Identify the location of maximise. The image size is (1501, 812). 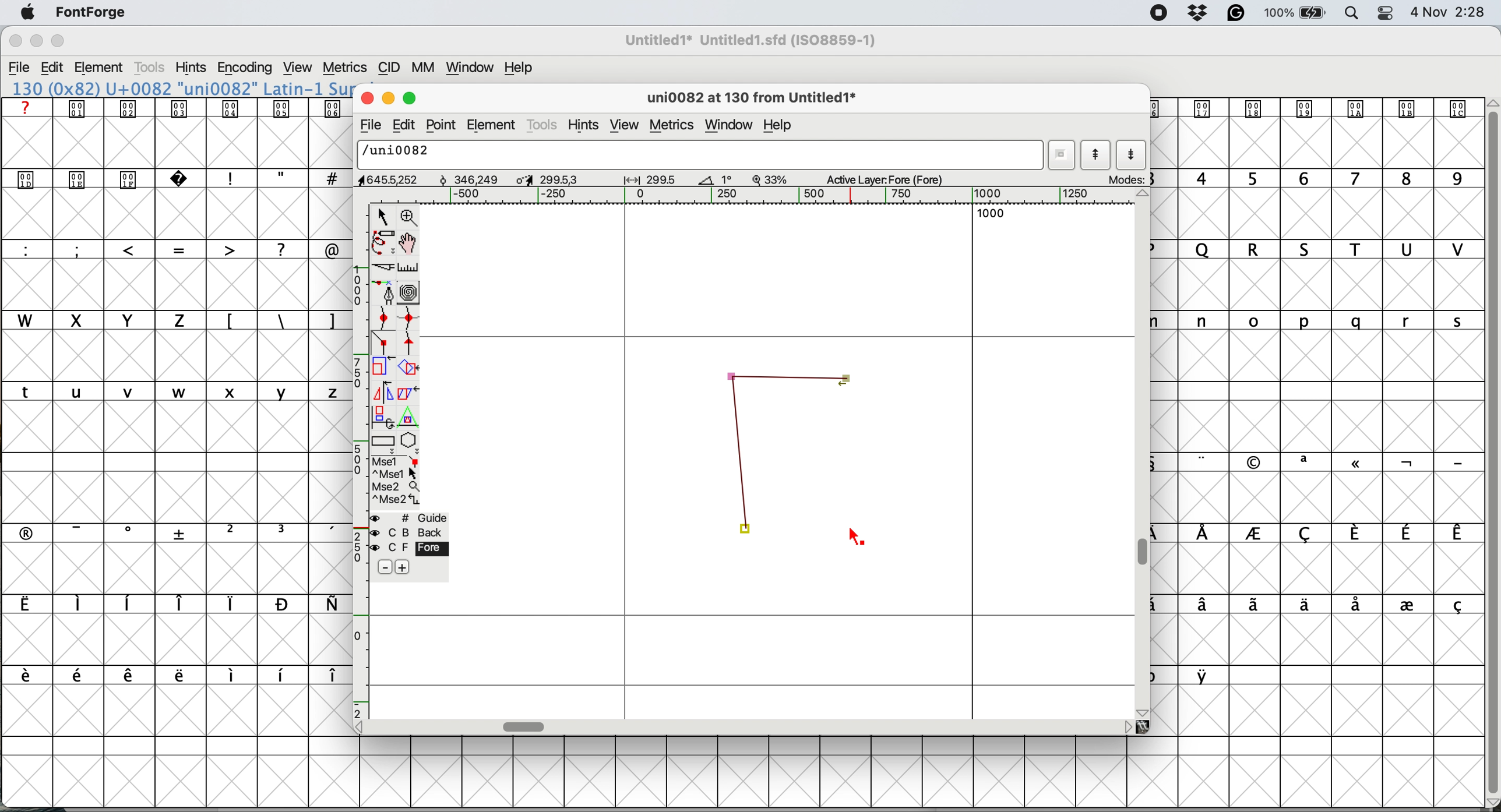
(59, 41).